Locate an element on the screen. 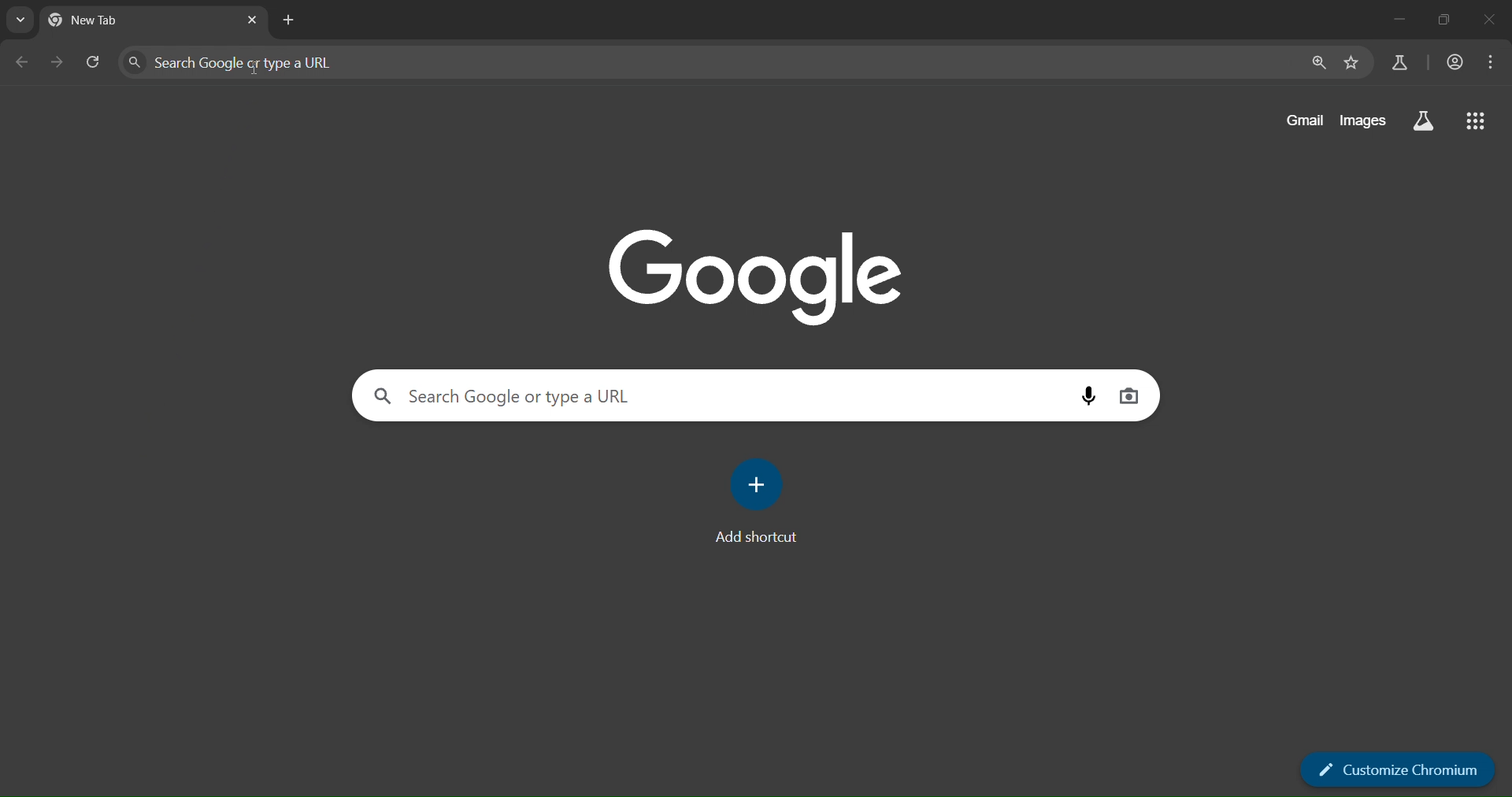 The width and height of the screenshot is (1512, 797). search Google or type a URL is located at coordinates (247, 61).